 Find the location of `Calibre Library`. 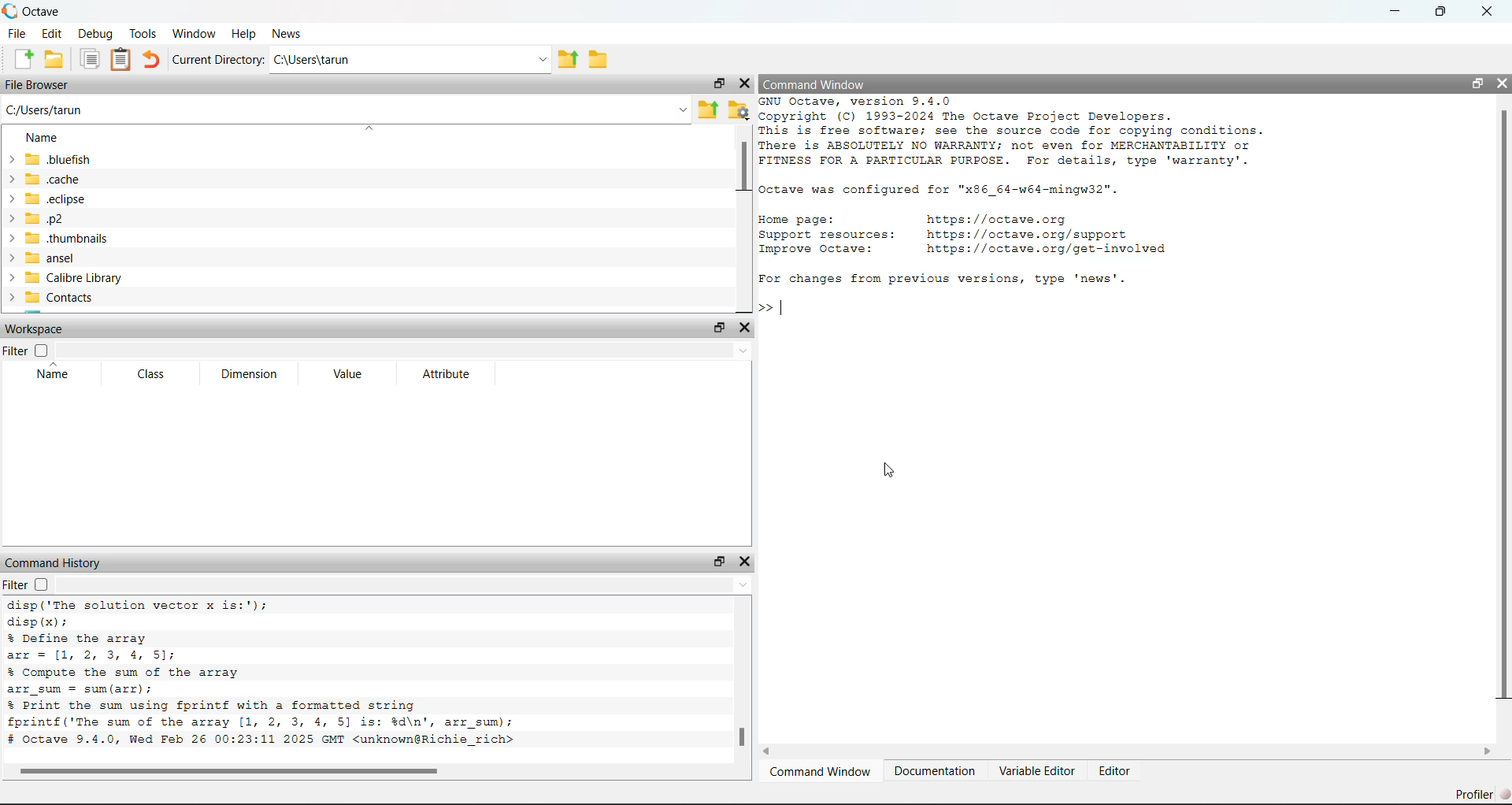

Calibre Library is located at coordinates (65, 278).